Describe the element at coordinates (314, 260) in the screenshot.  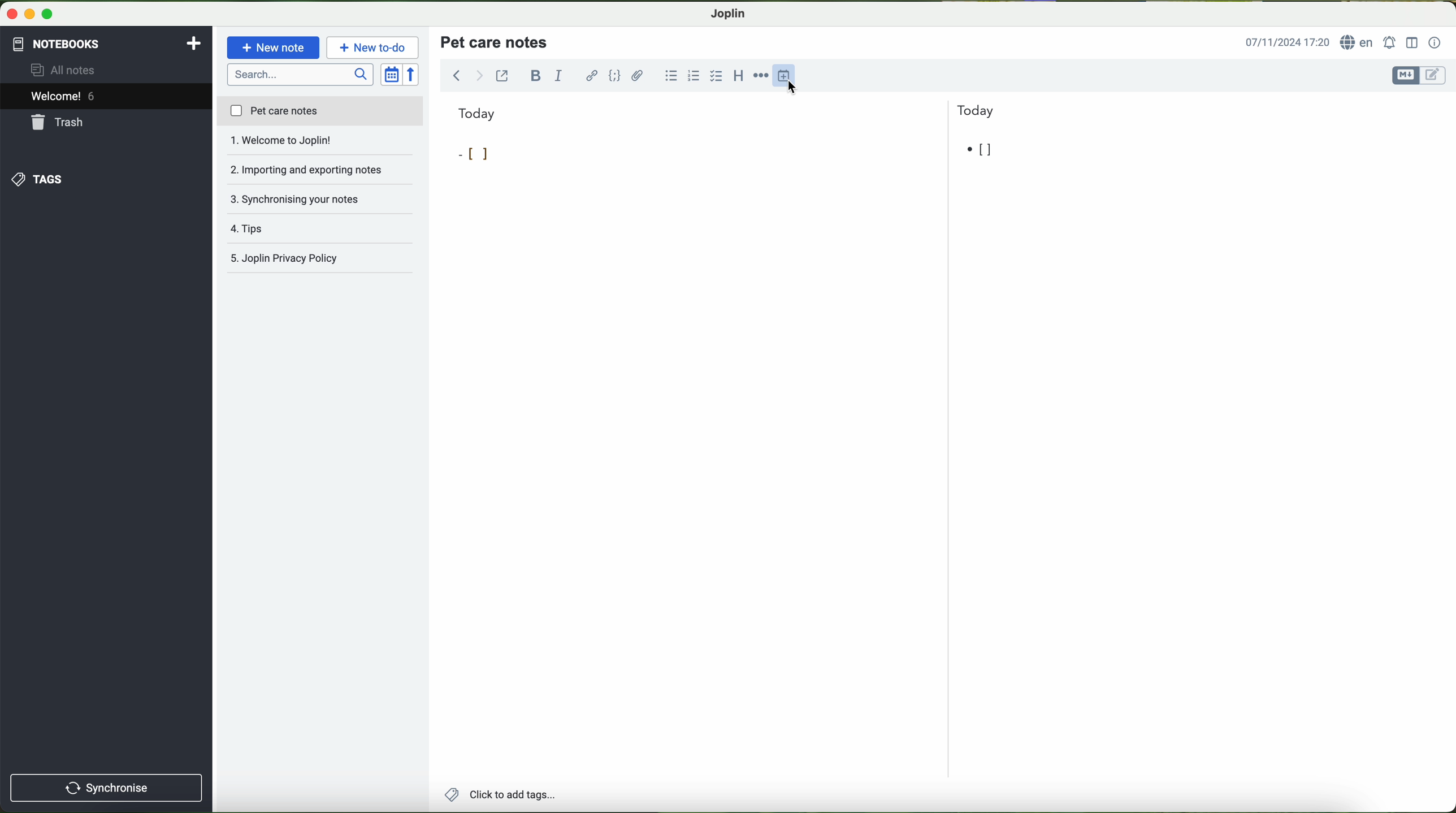
I see `joplin privacy policy` at that location.